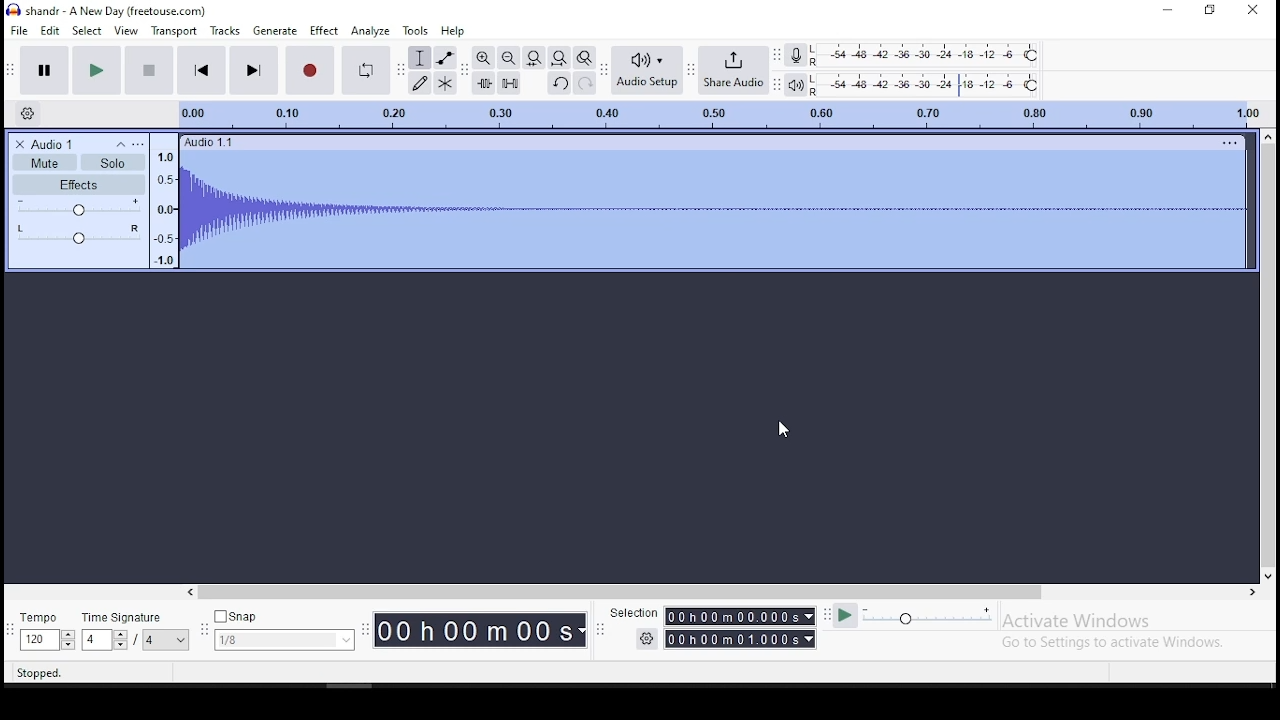 This screenshot has height=720, width=1280. Describe the element at coordinates (96, 69) in the screenshot. I see `play` at that location.